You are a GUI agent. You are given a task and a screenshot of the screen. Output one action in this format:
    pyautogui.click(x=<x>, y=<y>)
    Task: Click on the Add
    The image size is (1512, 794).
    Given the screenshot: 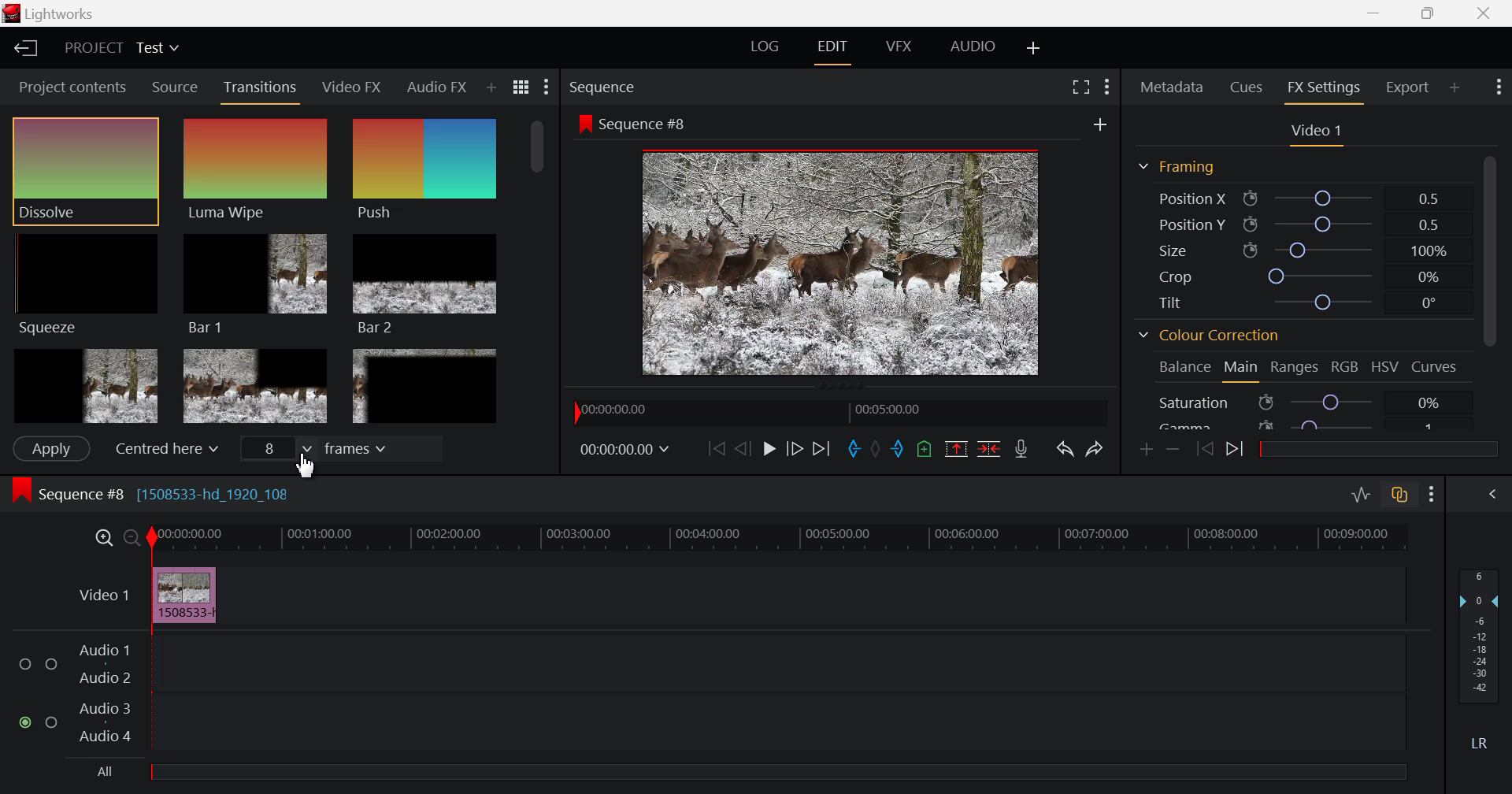 What is the action you would take?
    pyautogui.click(x=1097, y=124)
    